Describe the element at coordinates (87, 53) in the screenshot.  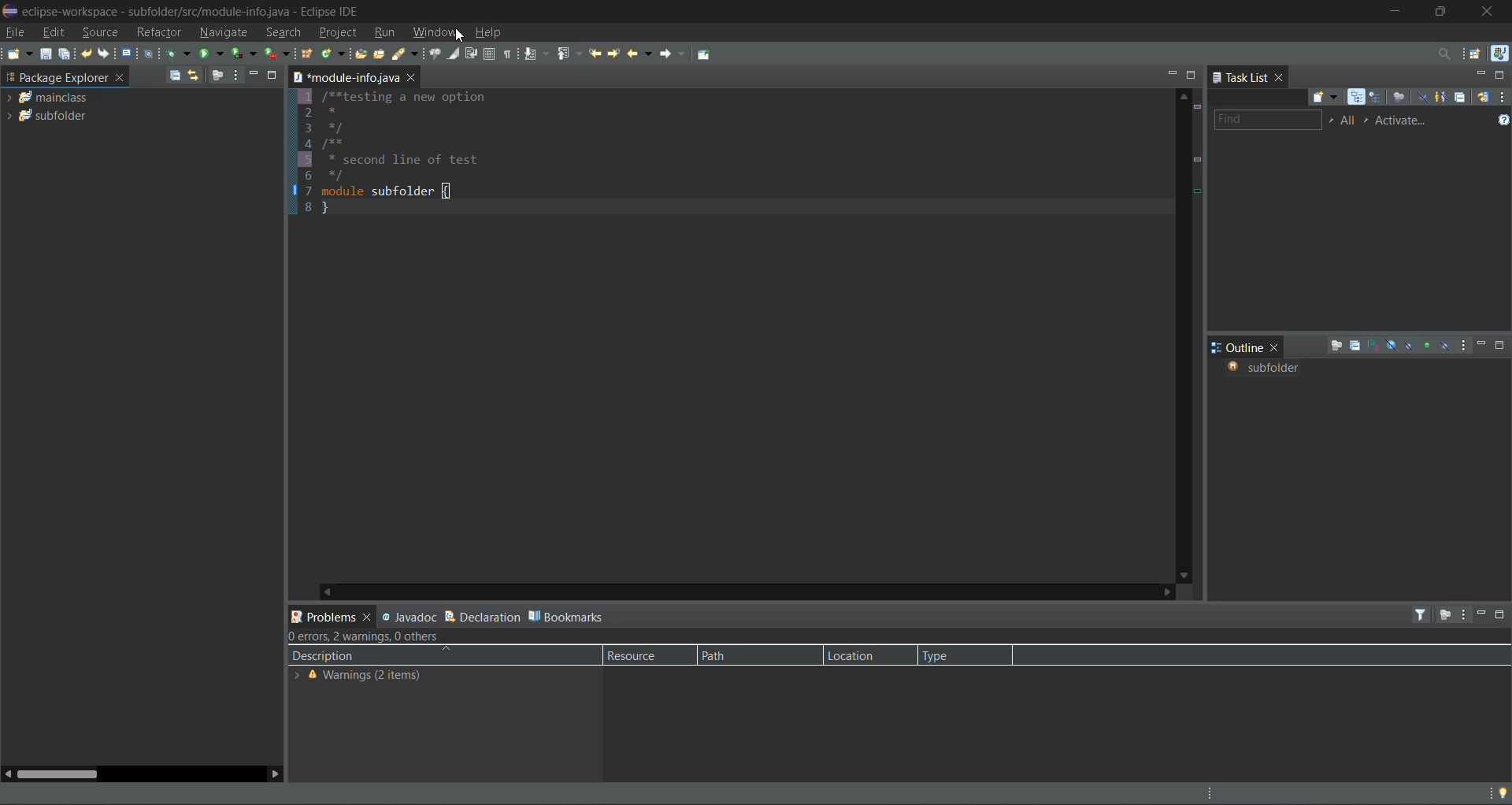
I see `undo` at that location.